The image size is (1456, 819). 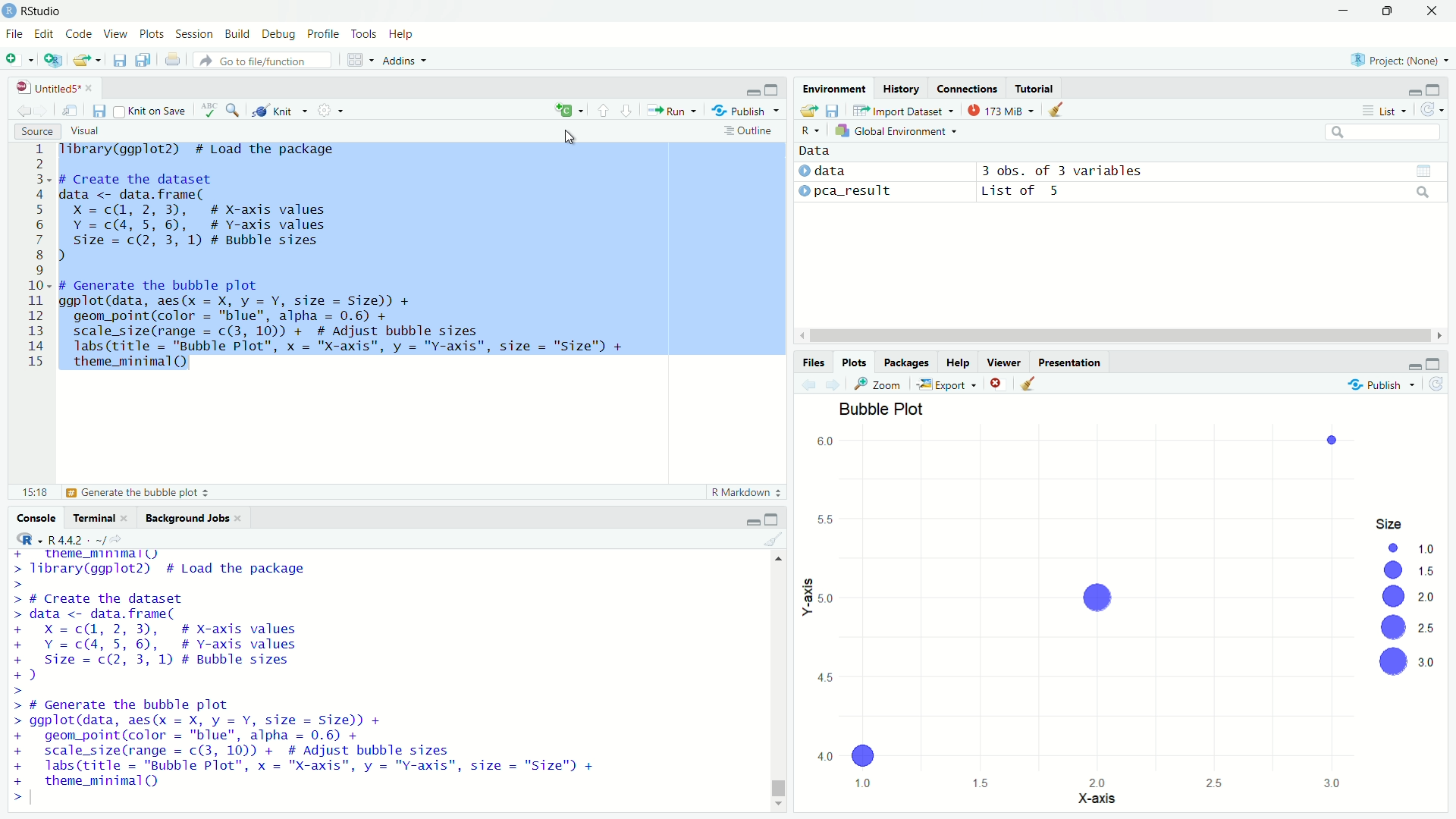 What do you see at coordinates (365, 33) in the screenshot?
I see `tools` at bounding box center [365, 33].